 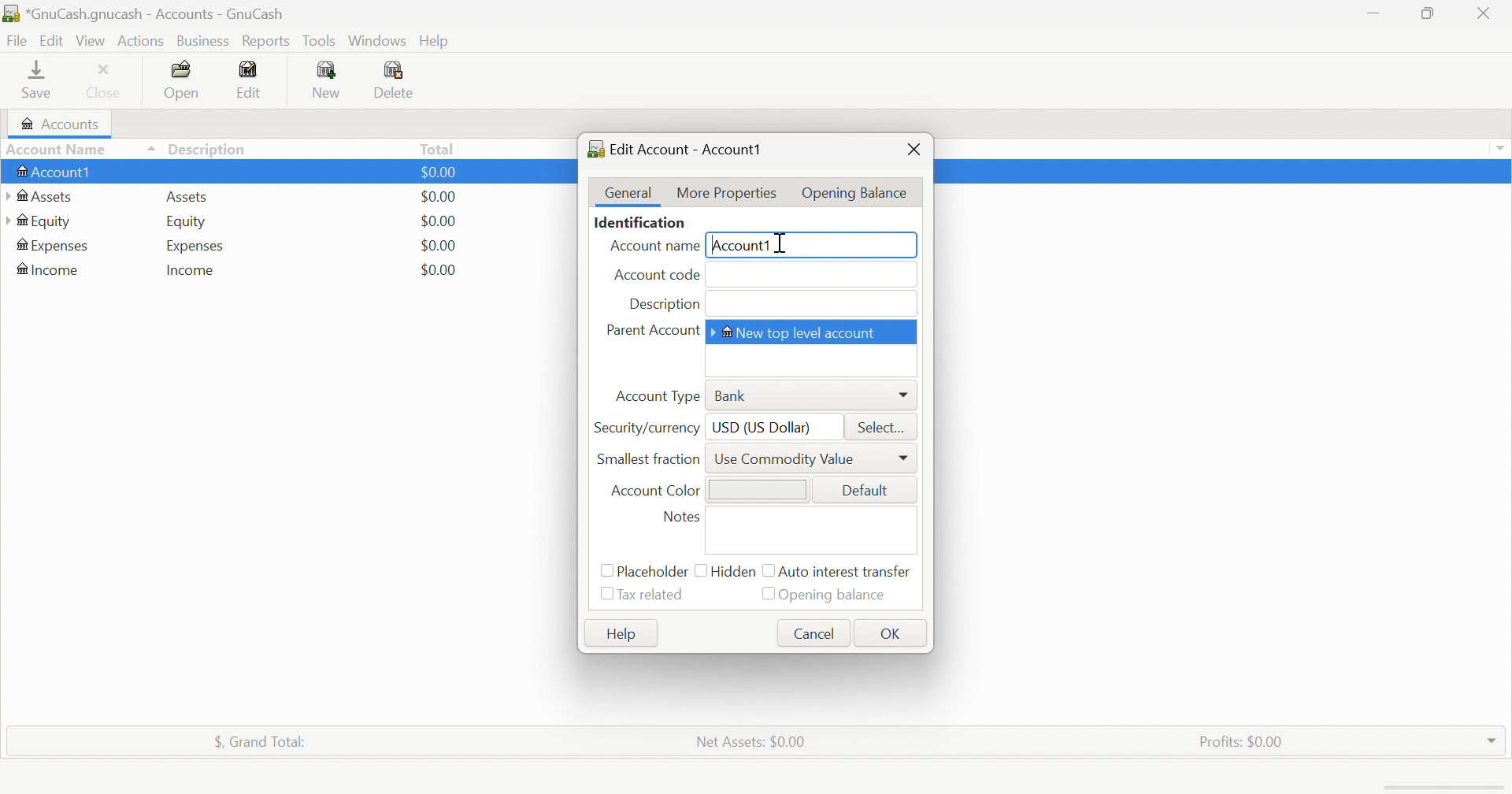 What do you see at coordinates (50, 269) in the screenshot?
I see `Income` at bounding box center [50, 269].